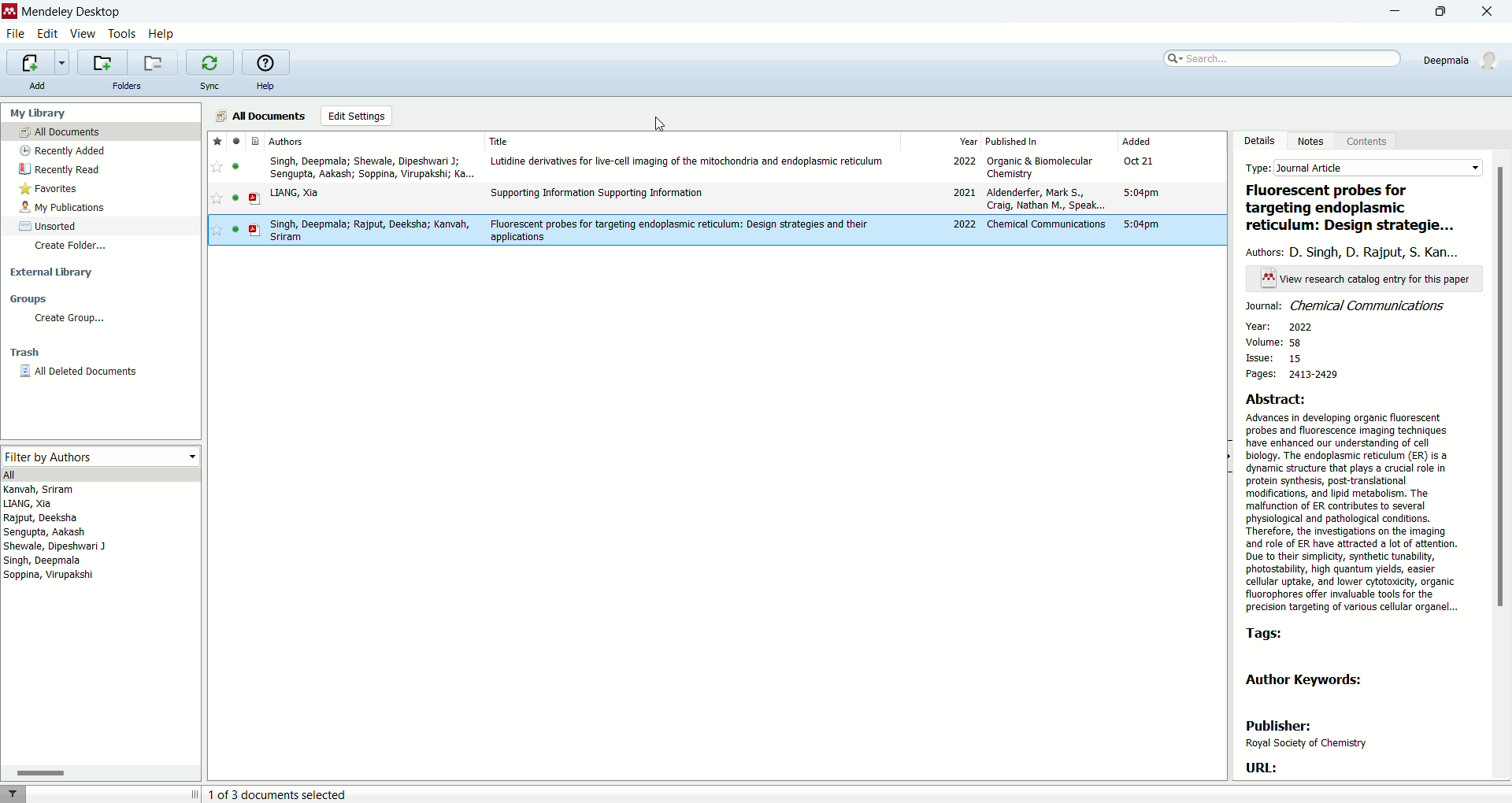 Image resolution: width=1512 pixels, height=803 pixels. I want to click on URL, so click(1261, 768).